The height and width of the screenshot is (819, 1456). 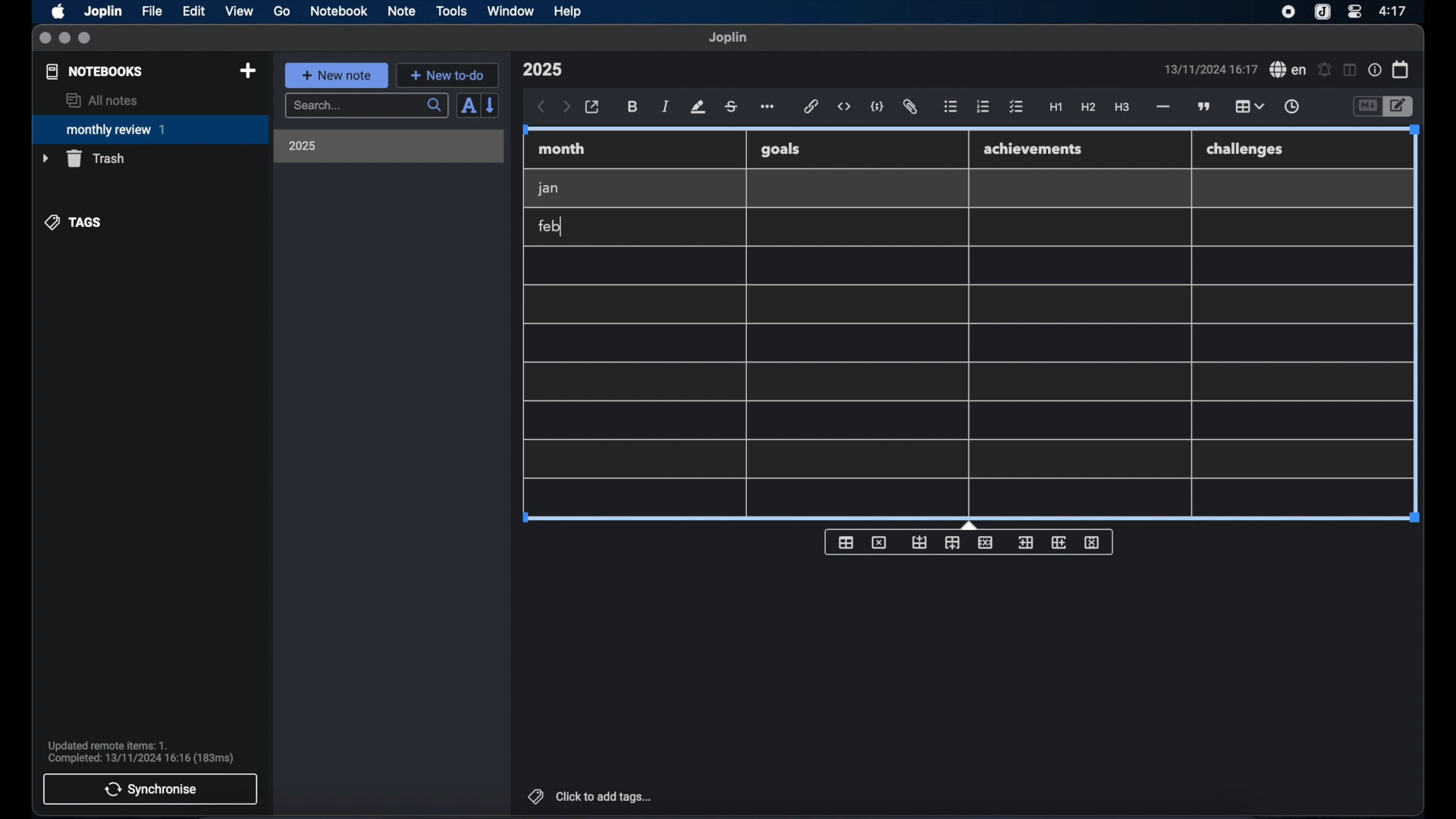 What do you see at coordinates (1034, 149) in the screenshot?
I see `achievements` at bounding box center [1034, 149].